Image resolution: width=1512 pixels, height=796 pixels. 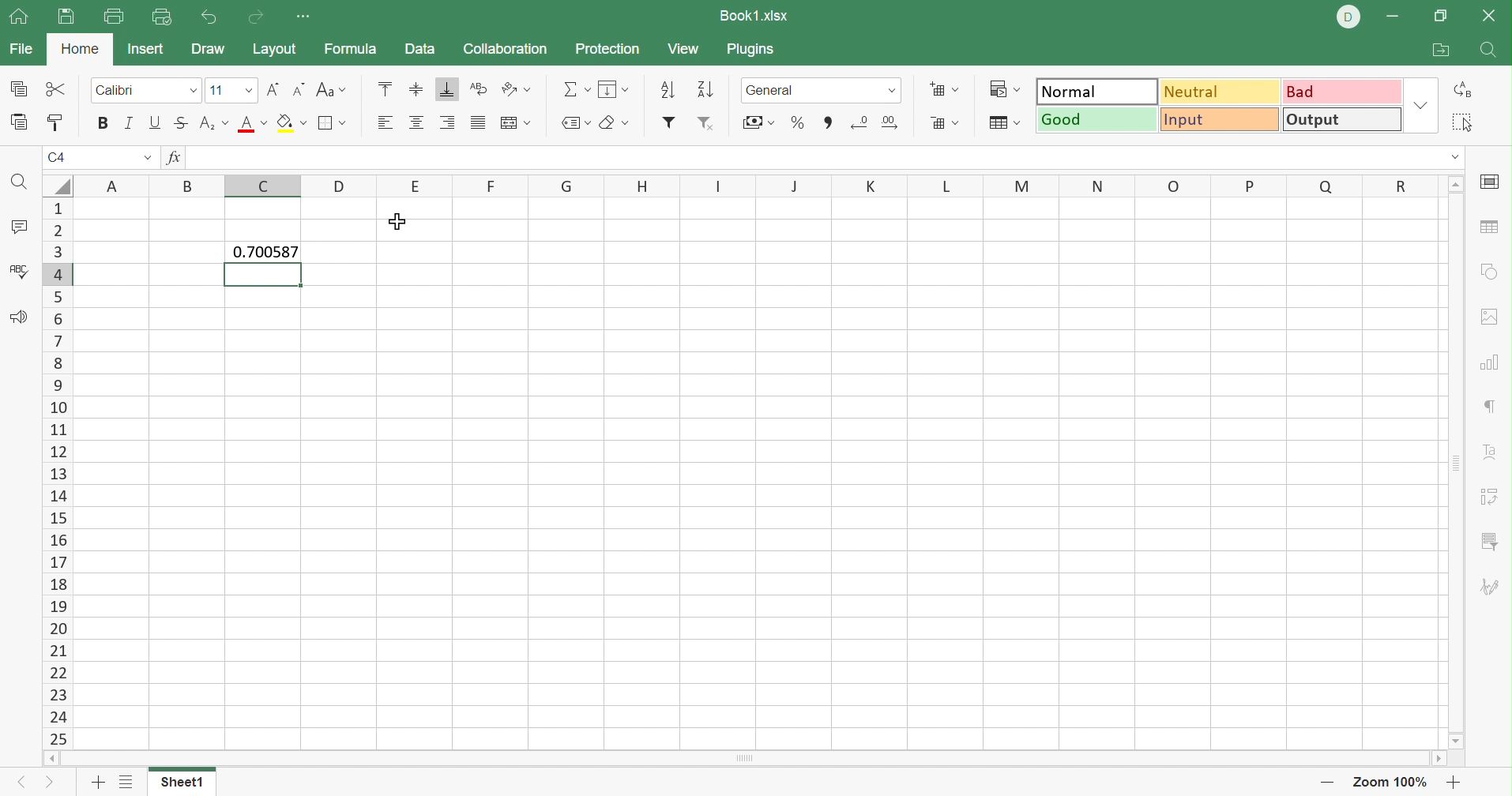 I want to click on Redo, so click(x=260, y=17).